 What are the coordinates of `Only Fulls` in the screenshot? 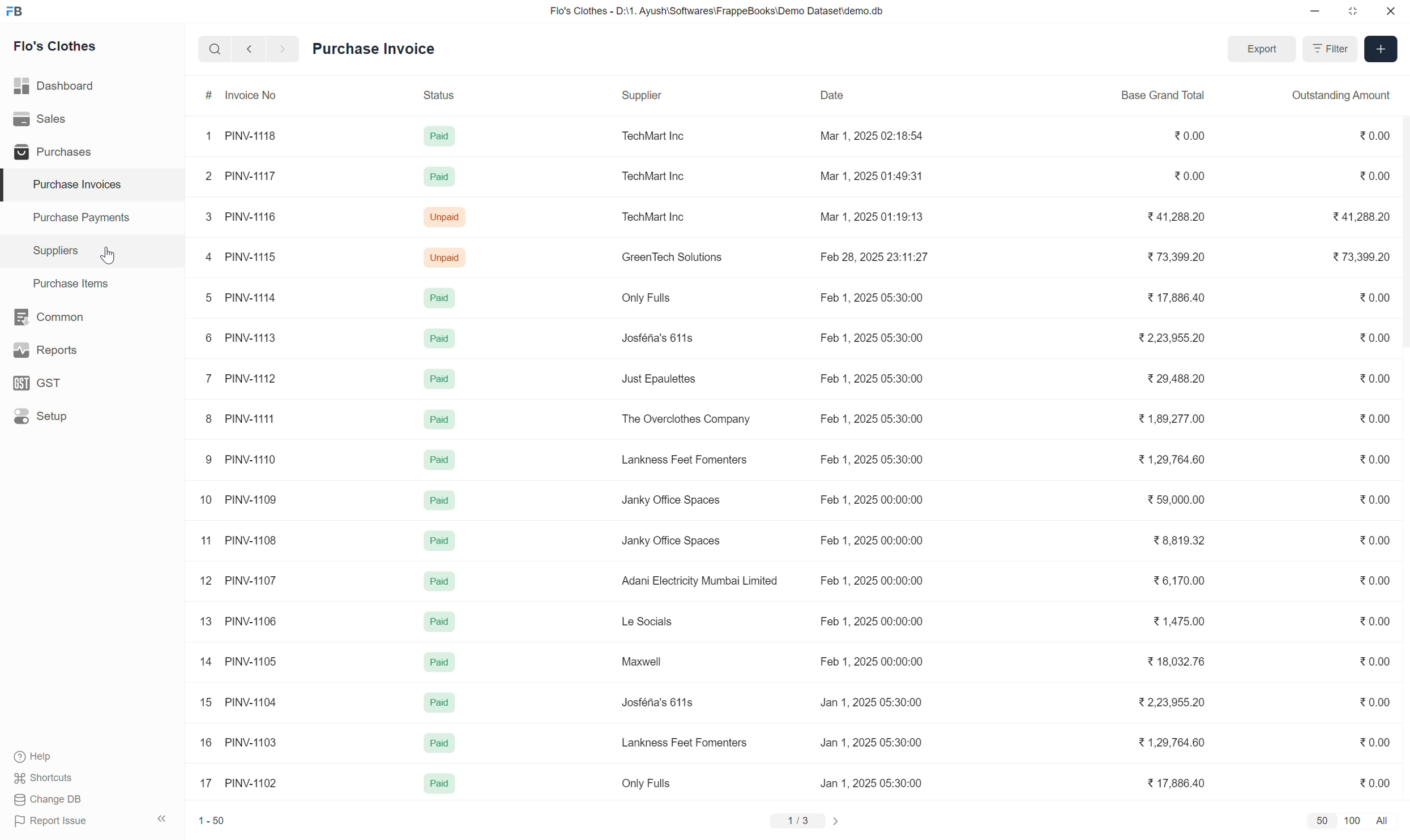 It's located at (647, 298).